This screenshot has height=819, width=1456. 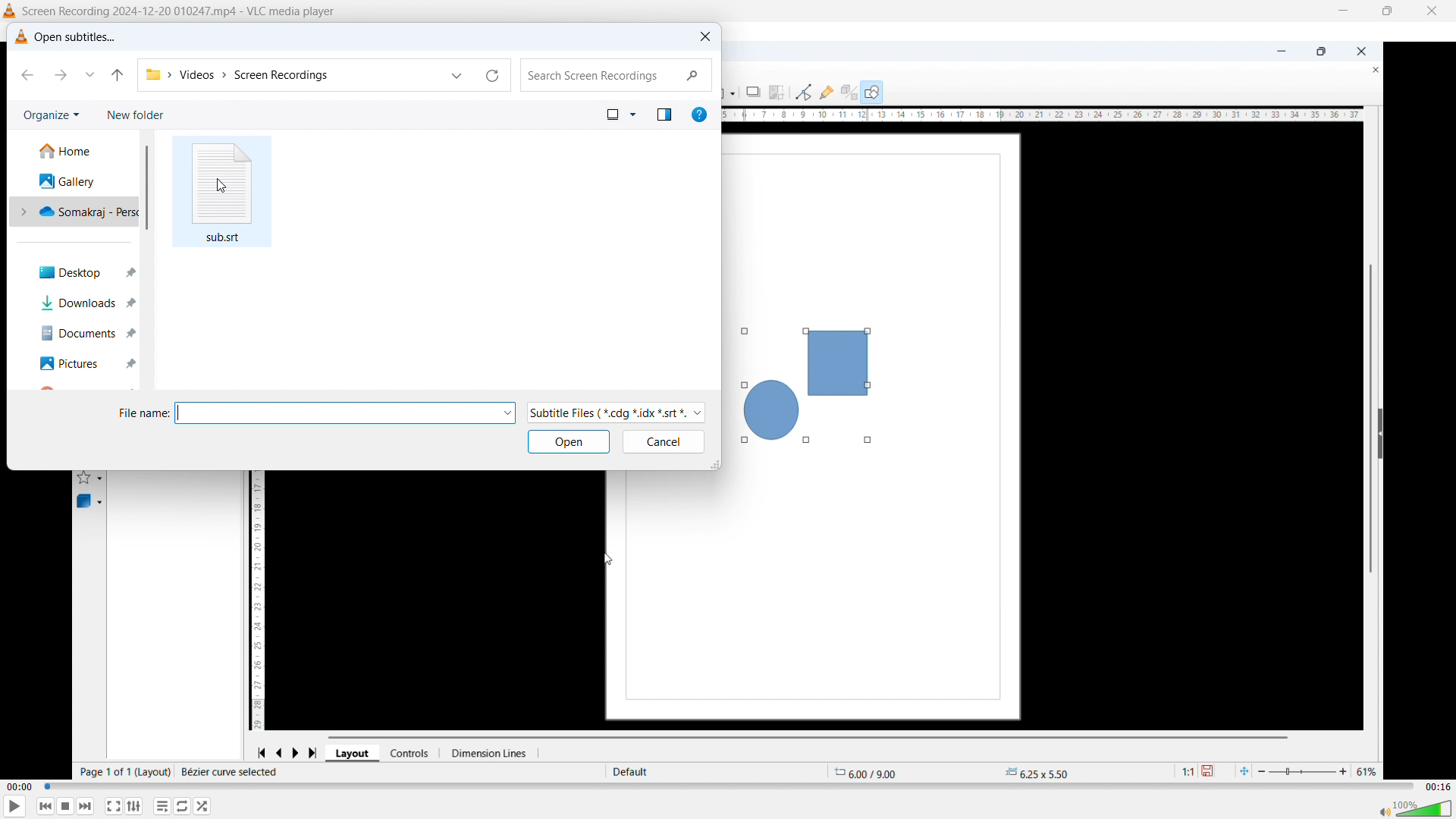 I want to click on hide, so click(x=1380, y=433).